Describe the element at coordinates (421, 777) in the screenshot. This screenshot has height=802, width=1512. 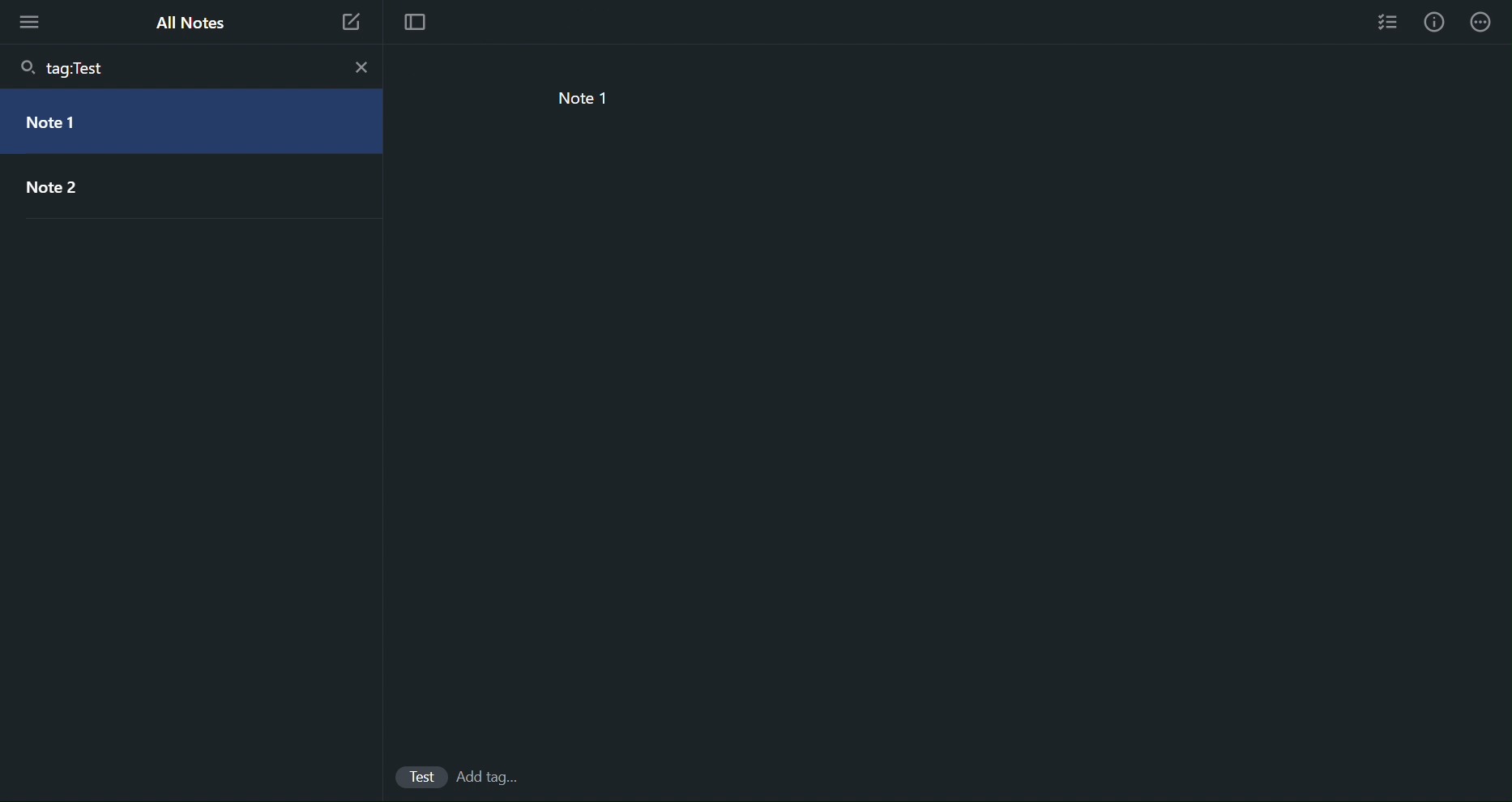
I see `Test` at that location.